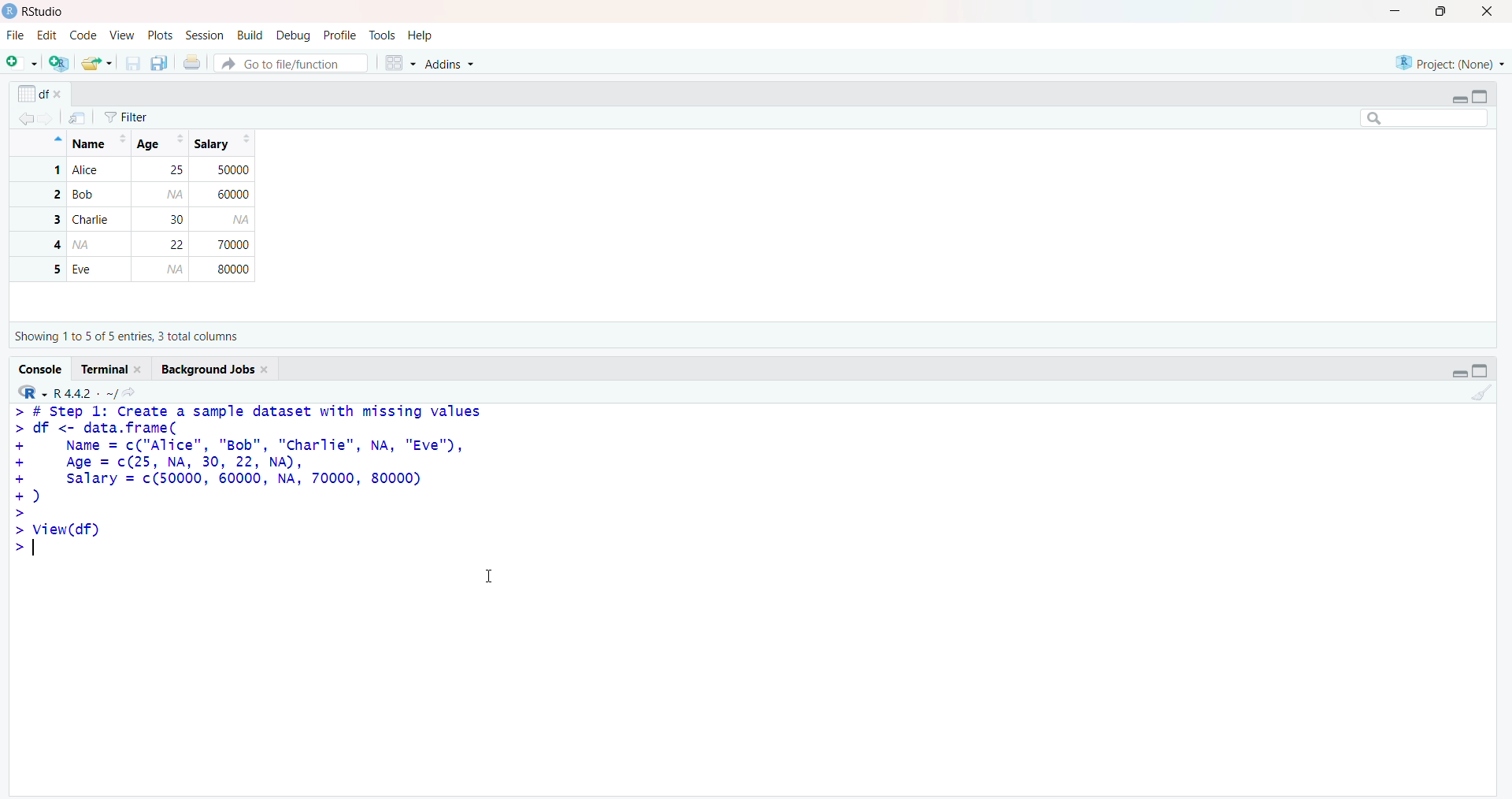 This screenshot has width=1512, height=799. Describe the element at coordinates (295, 34) in the screenshot. I see `Debug` at that location.